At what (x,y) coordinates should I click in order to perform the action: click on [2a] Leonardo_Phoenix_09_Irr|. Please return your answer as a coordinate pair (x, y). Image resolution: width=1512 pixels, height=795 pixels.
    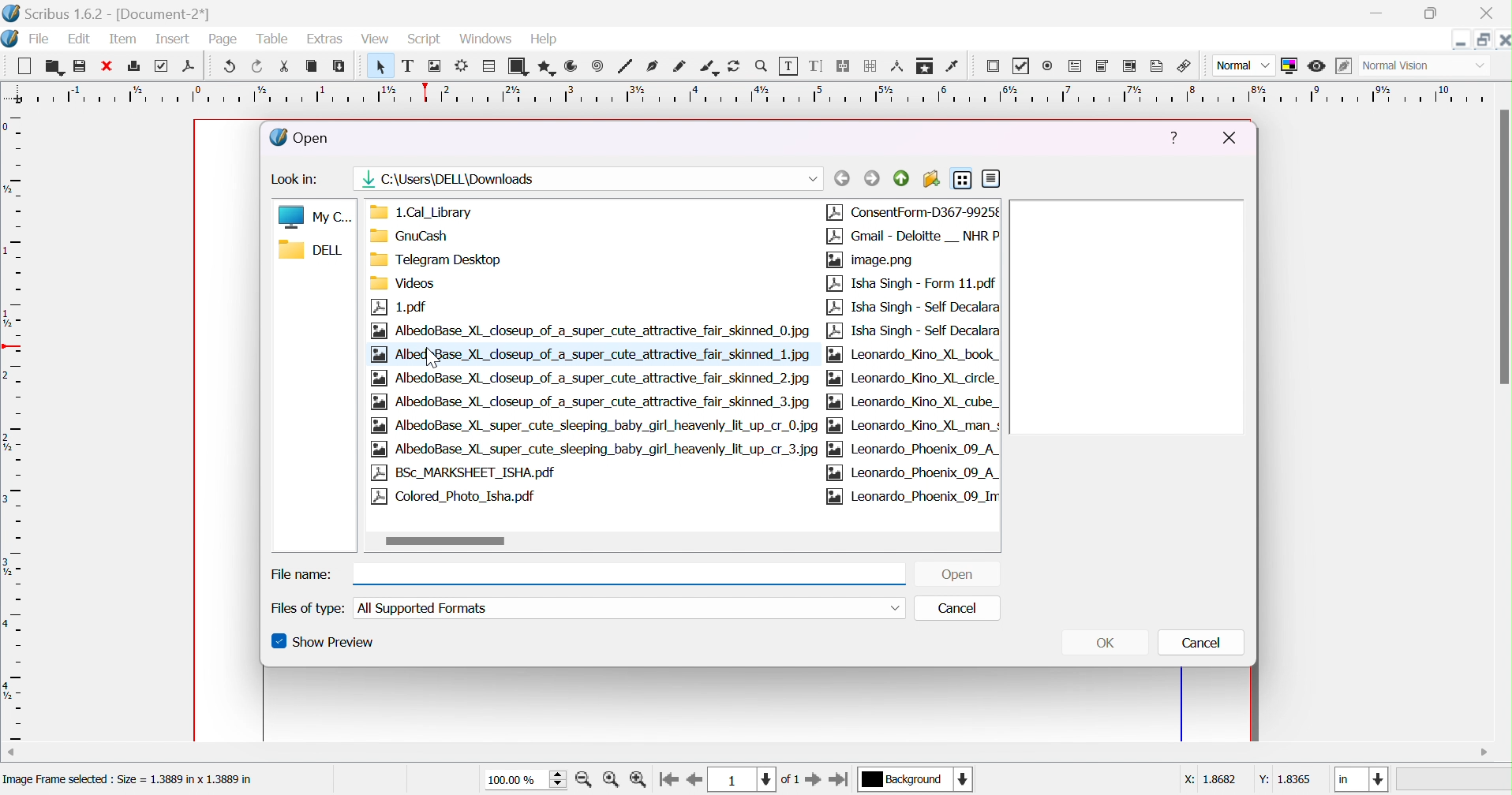
    Looking at the image, I should click on (903, 496).